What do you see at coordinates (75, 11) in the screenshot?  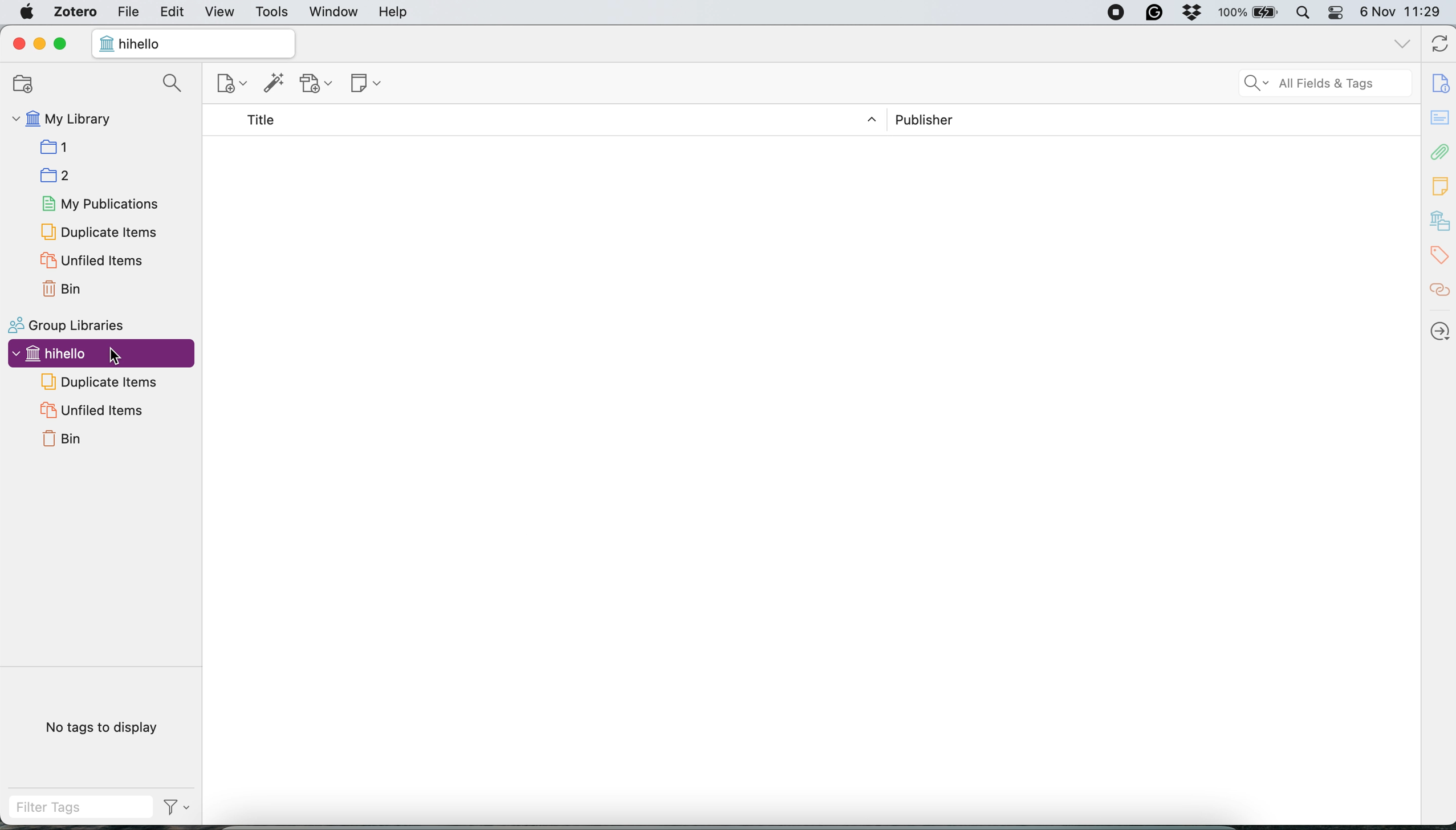 I see `zotero` at bounding box center [75, 11].